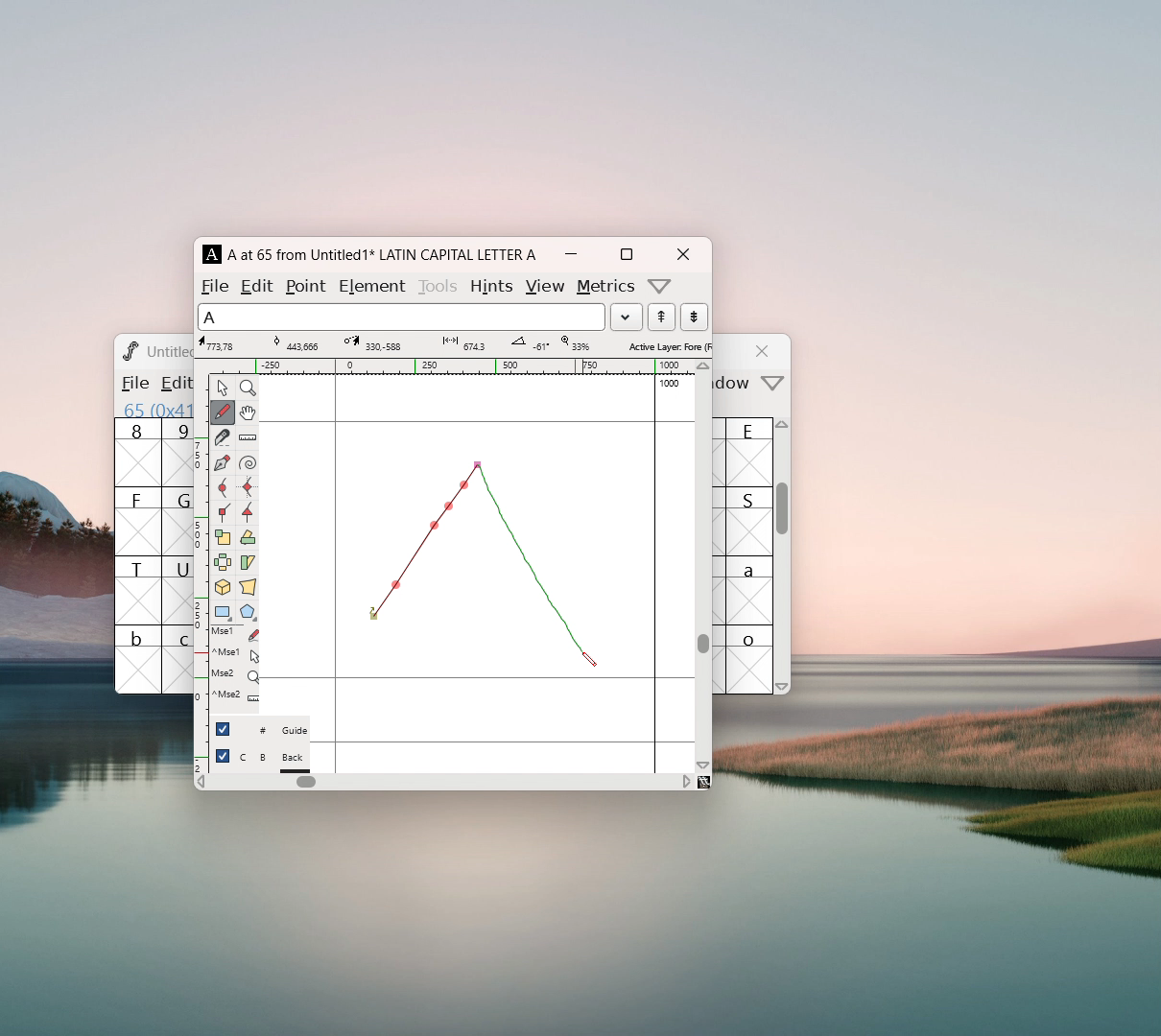 The image size is (1161, 1036). Describe the element at coordinates (248, 487) in the screenshot. I see `add a curve point always horizontal or vertical` at that location.